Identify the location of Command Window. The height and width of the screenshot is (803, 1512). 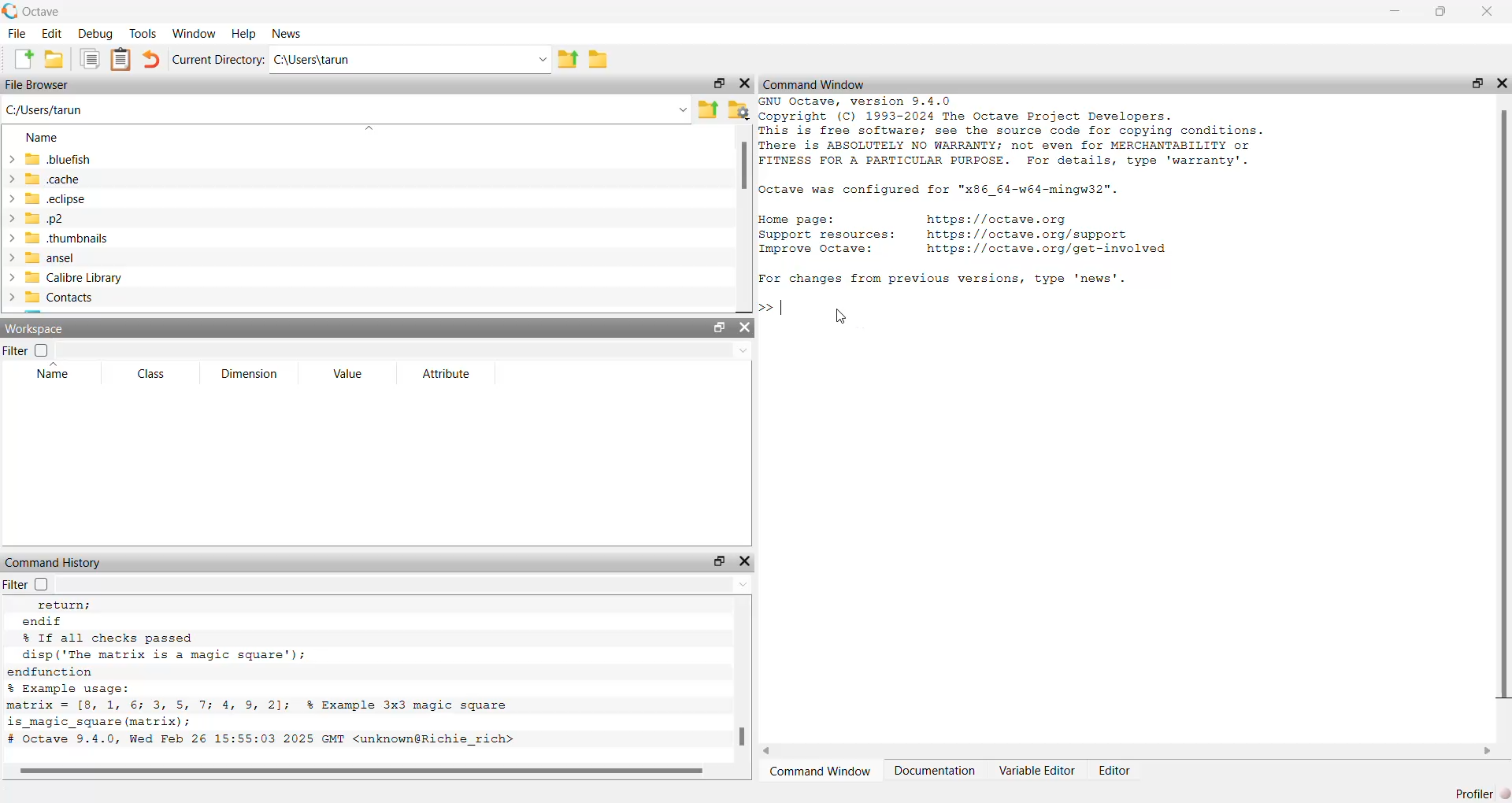
(814, 85).